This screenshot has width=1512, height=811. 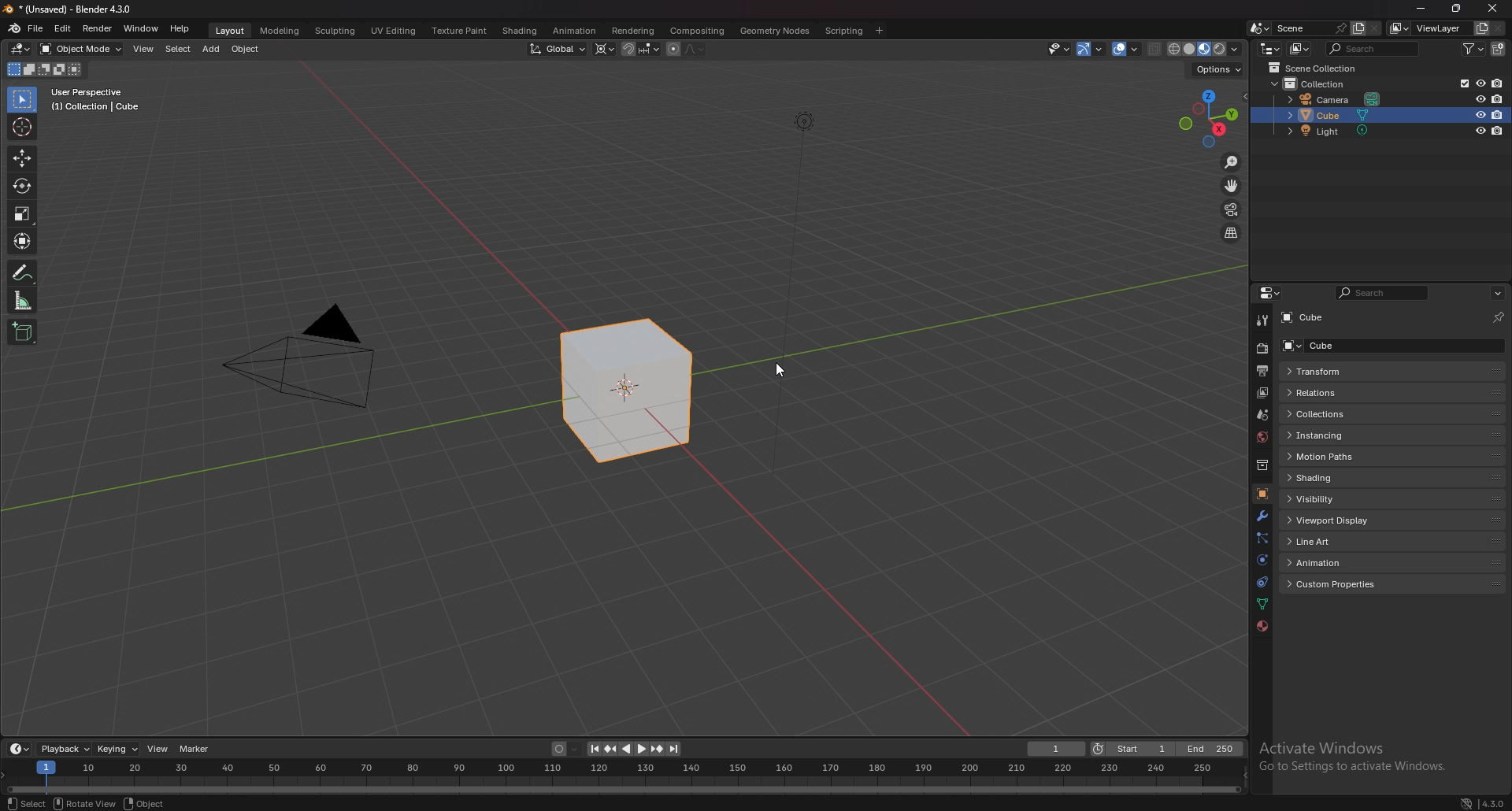 What do you see at coordinates (1336, 543) in the screenshot?
I see `line art` at bounding box center [1336, 543].